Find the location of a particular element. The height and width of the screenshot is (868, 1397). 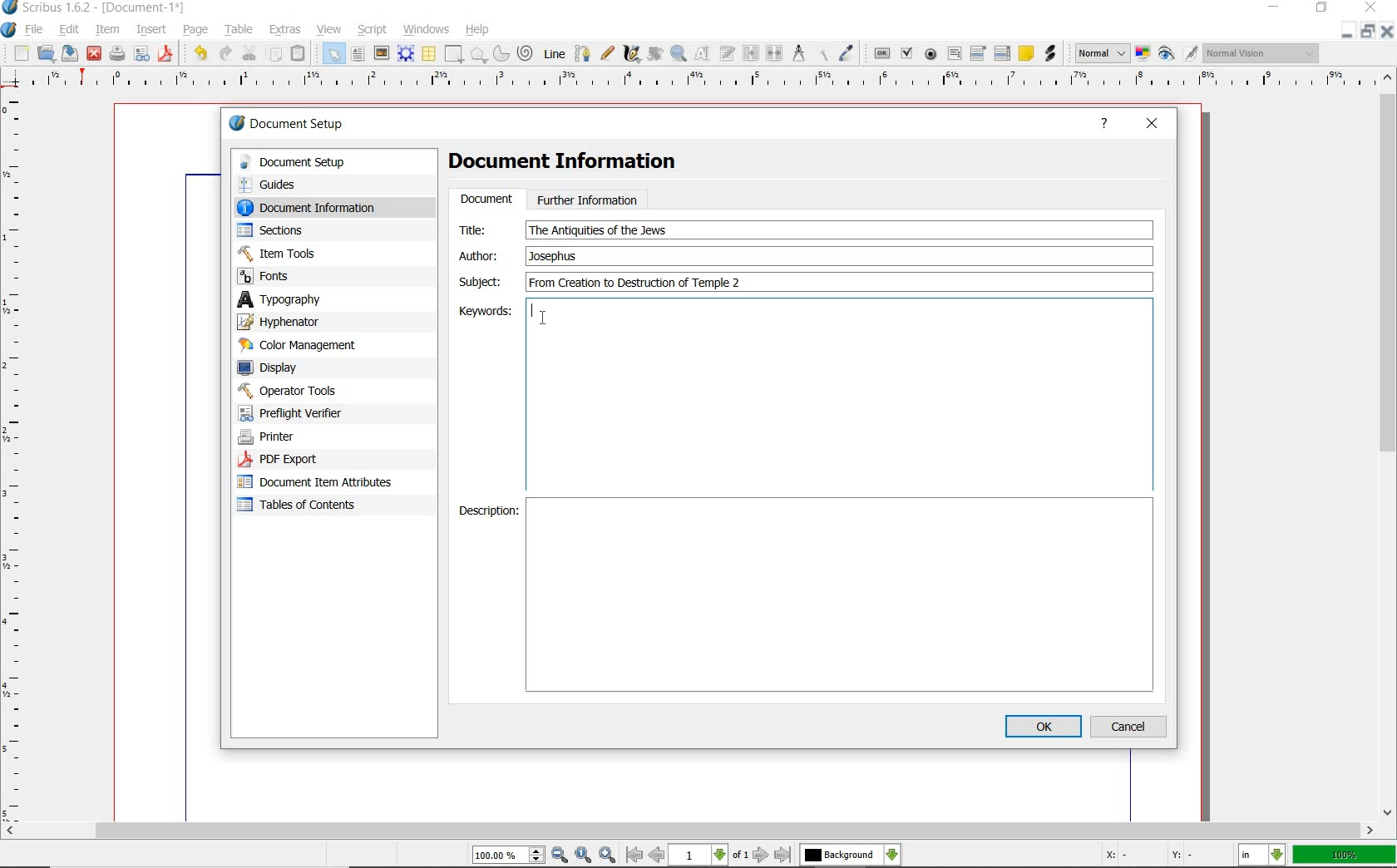

extras is located at coordinates (286, 30).